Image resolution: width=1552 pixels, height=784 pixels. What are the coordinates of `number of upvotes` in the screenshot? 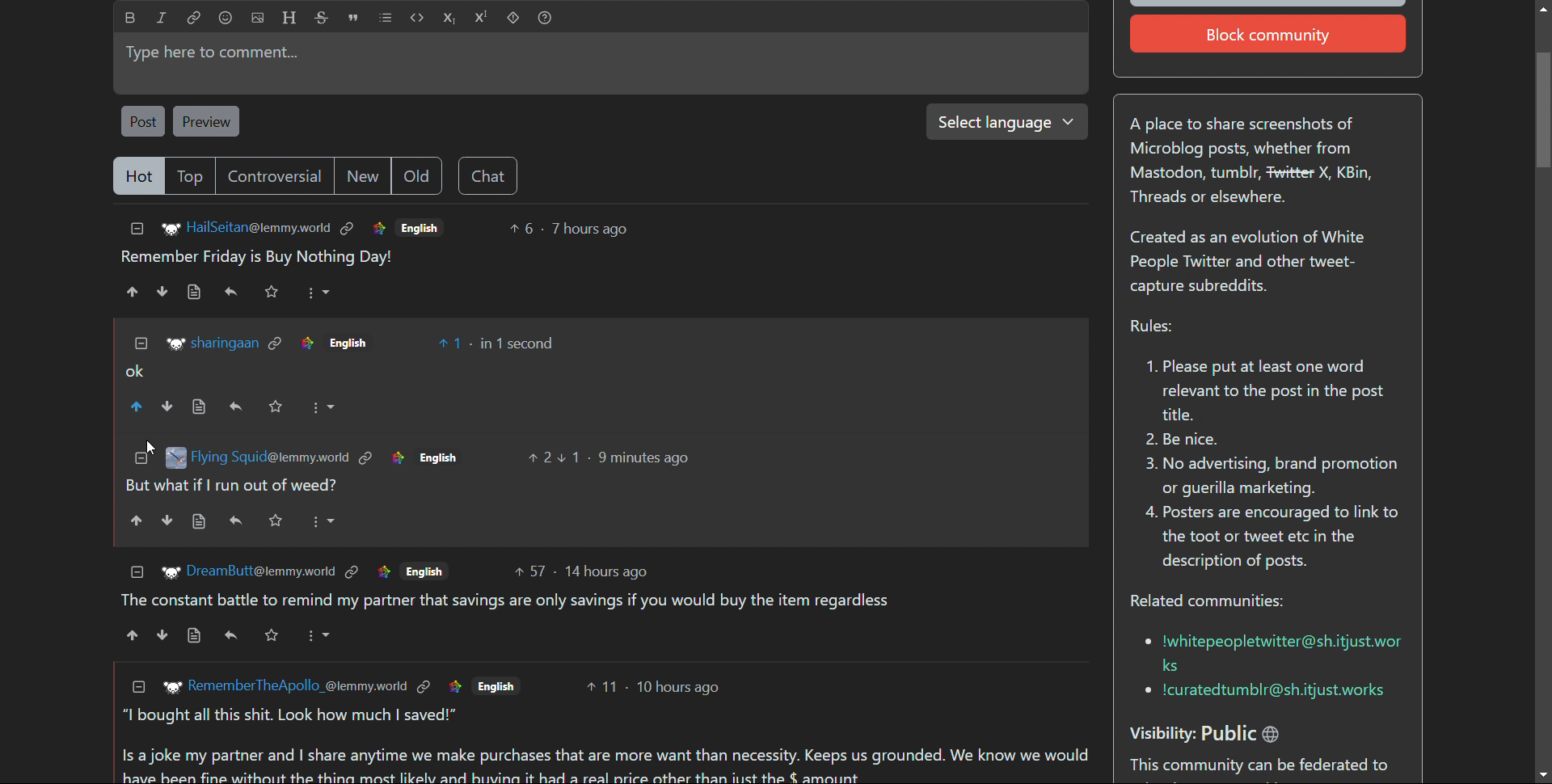 It's located at (528, 572).